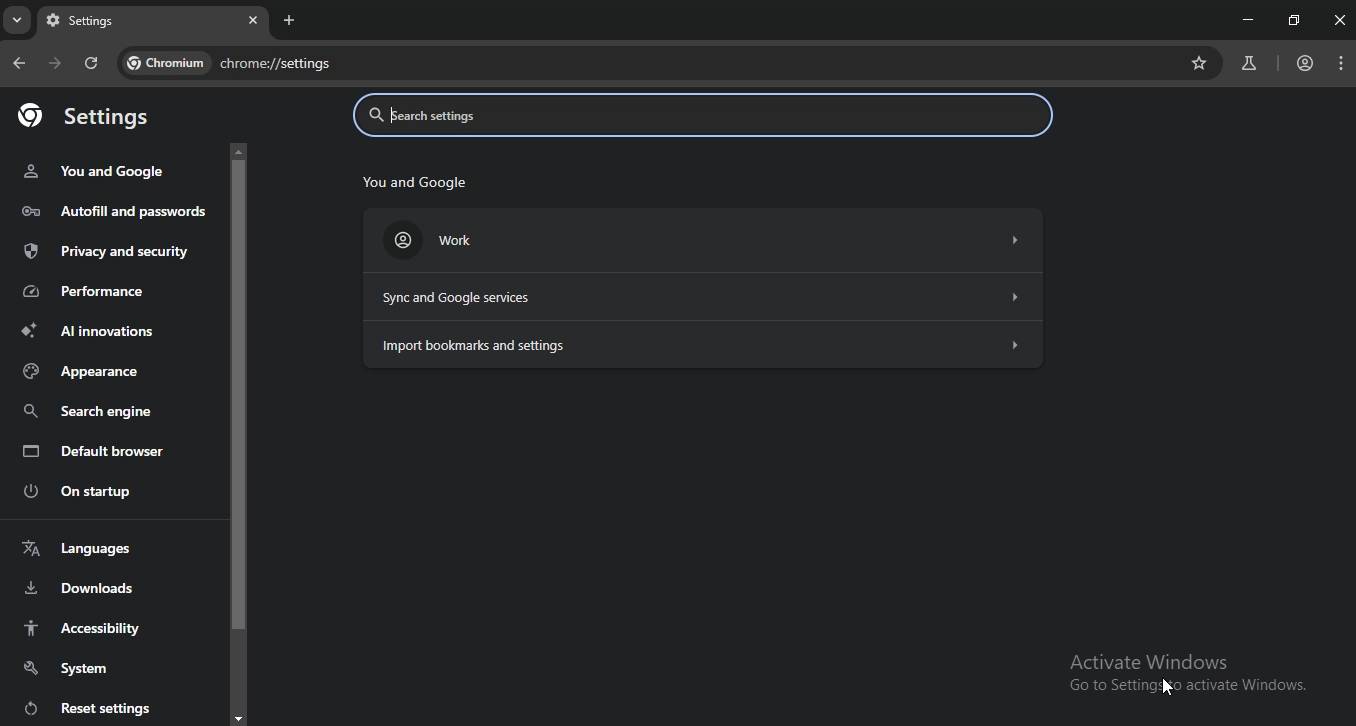 The image size is (1356, 726). Describe the element at coordinates (83, 707) in the screenshot. I see `Reset settings` at that location.